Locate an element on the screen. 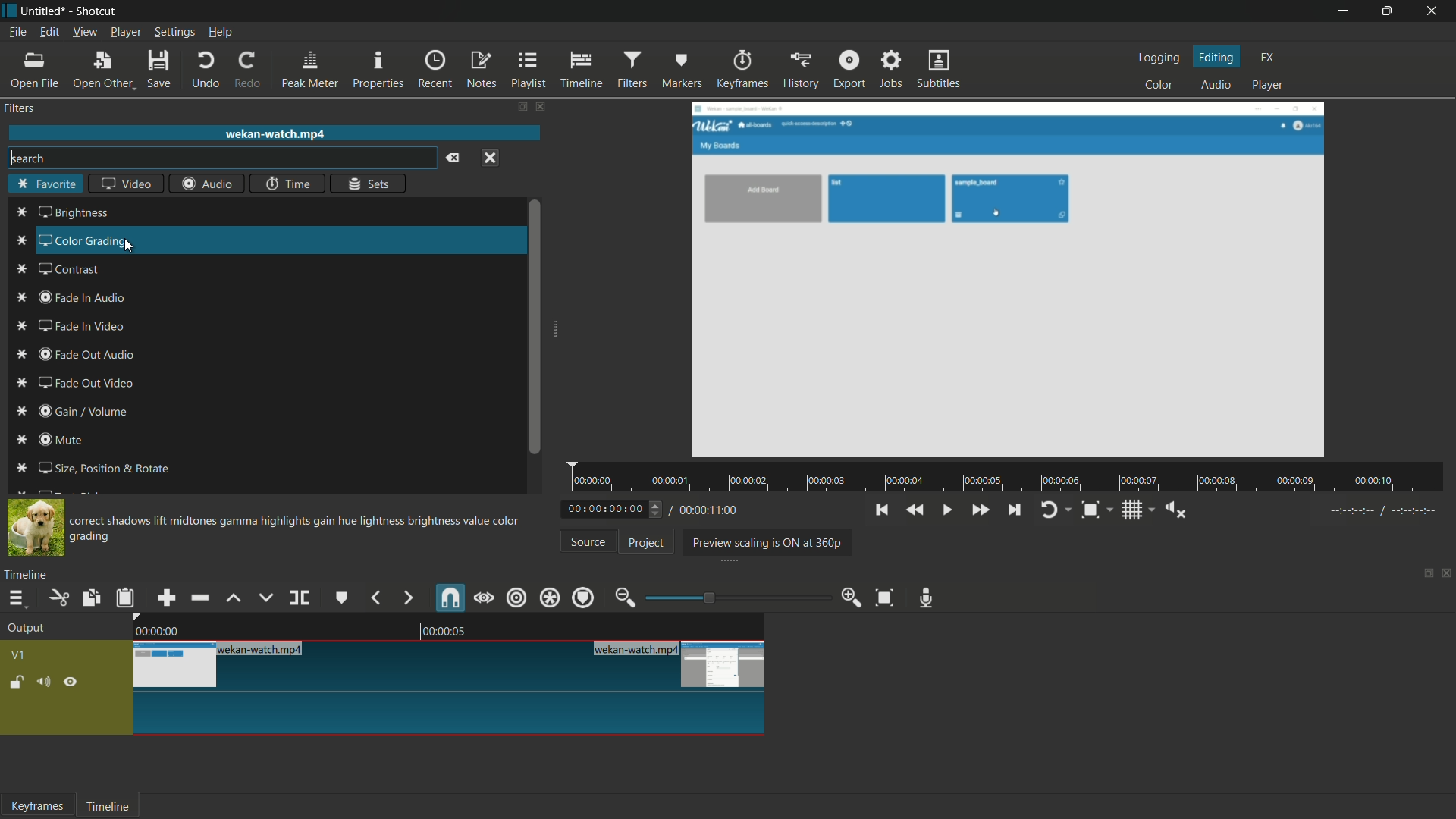 This screenshot has width=1456, height=819. ----:-- / is located at coordinates (1391, 513).